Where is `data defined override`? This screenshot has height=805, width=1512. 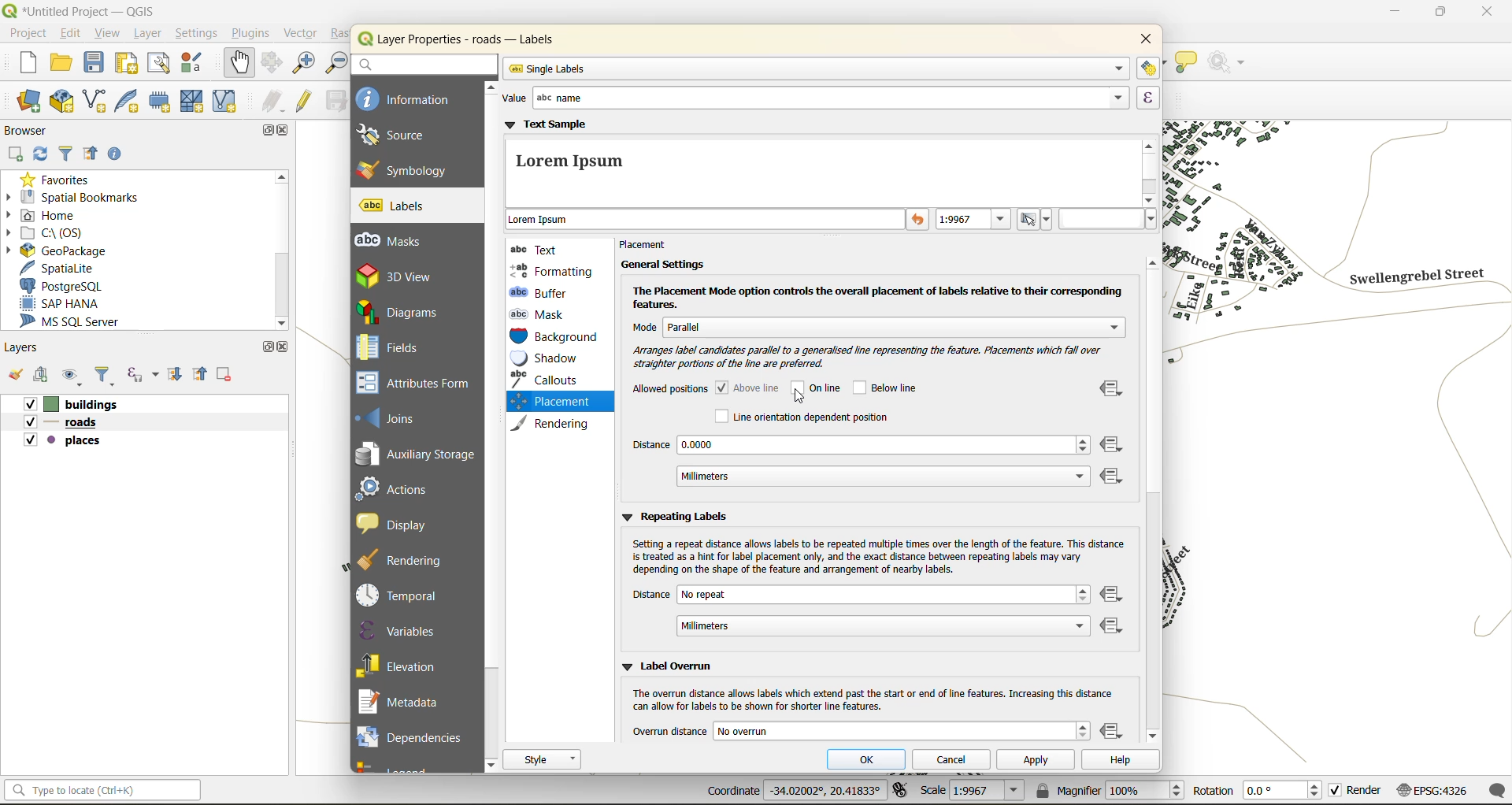
data defined override is located at coordinates (1114, 612).